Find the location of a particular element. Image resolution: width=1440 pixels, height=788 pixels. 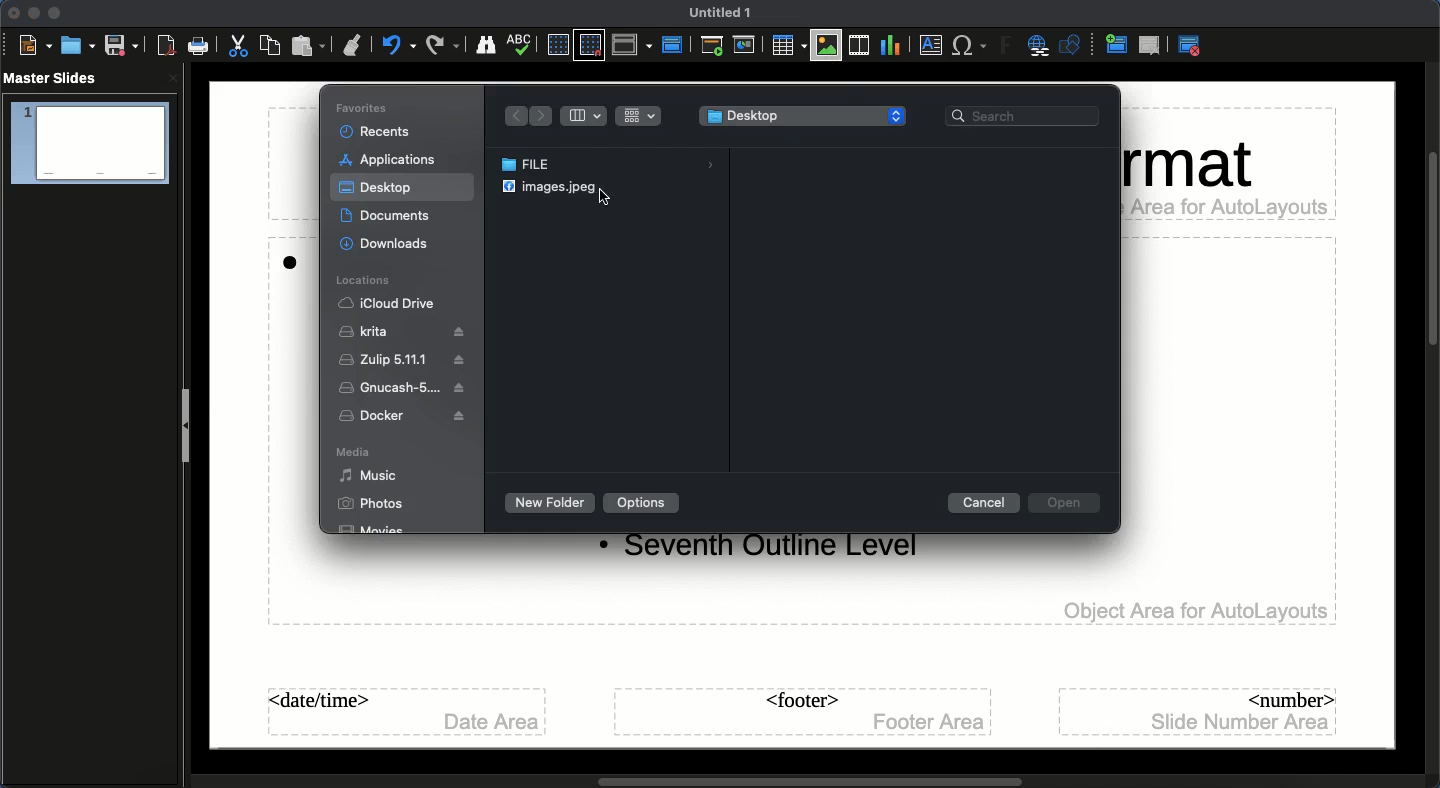

Forward is located at coordinates (542, 117).